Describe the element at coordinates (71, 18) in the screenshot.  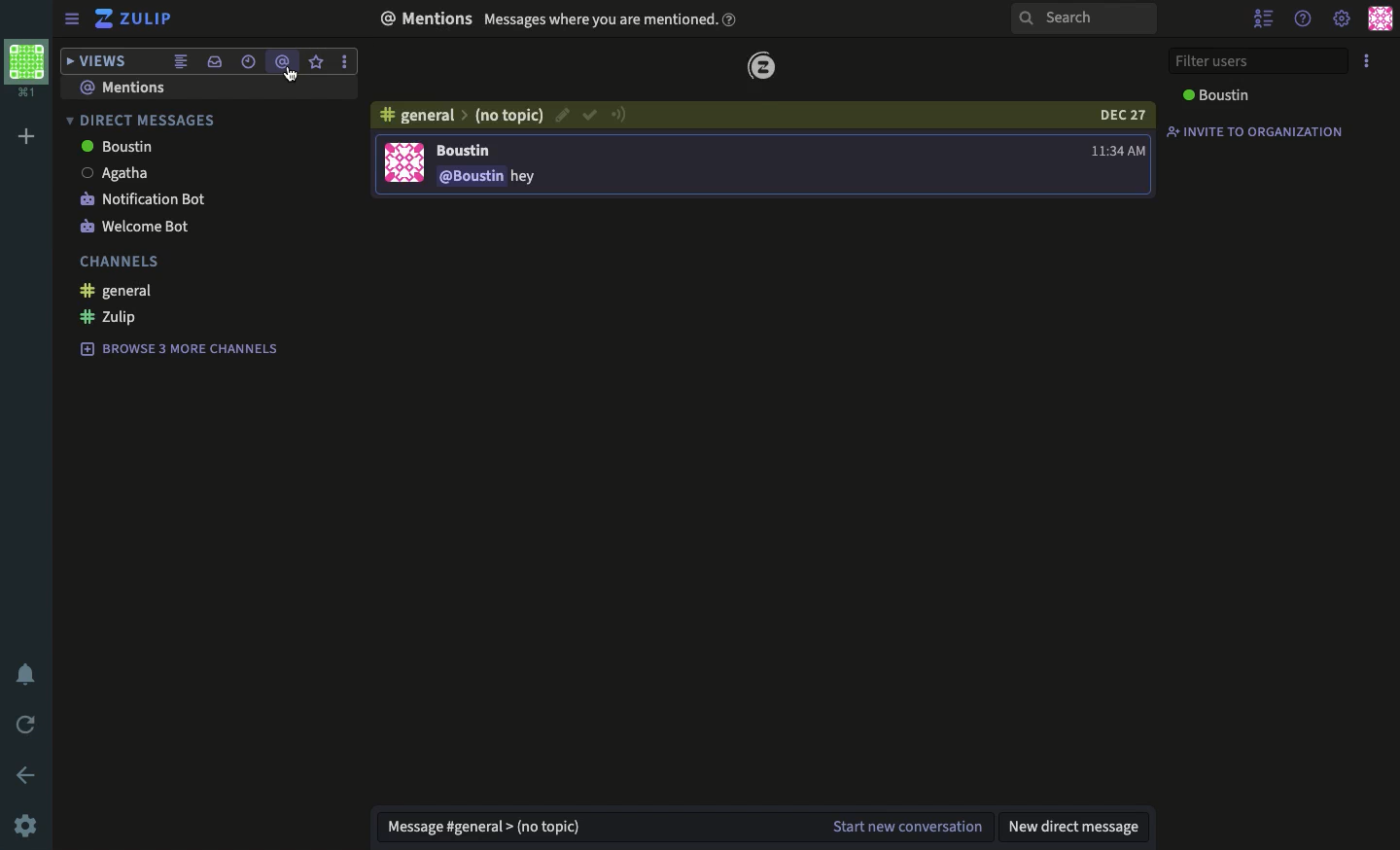
I see `sidebar` at that location.